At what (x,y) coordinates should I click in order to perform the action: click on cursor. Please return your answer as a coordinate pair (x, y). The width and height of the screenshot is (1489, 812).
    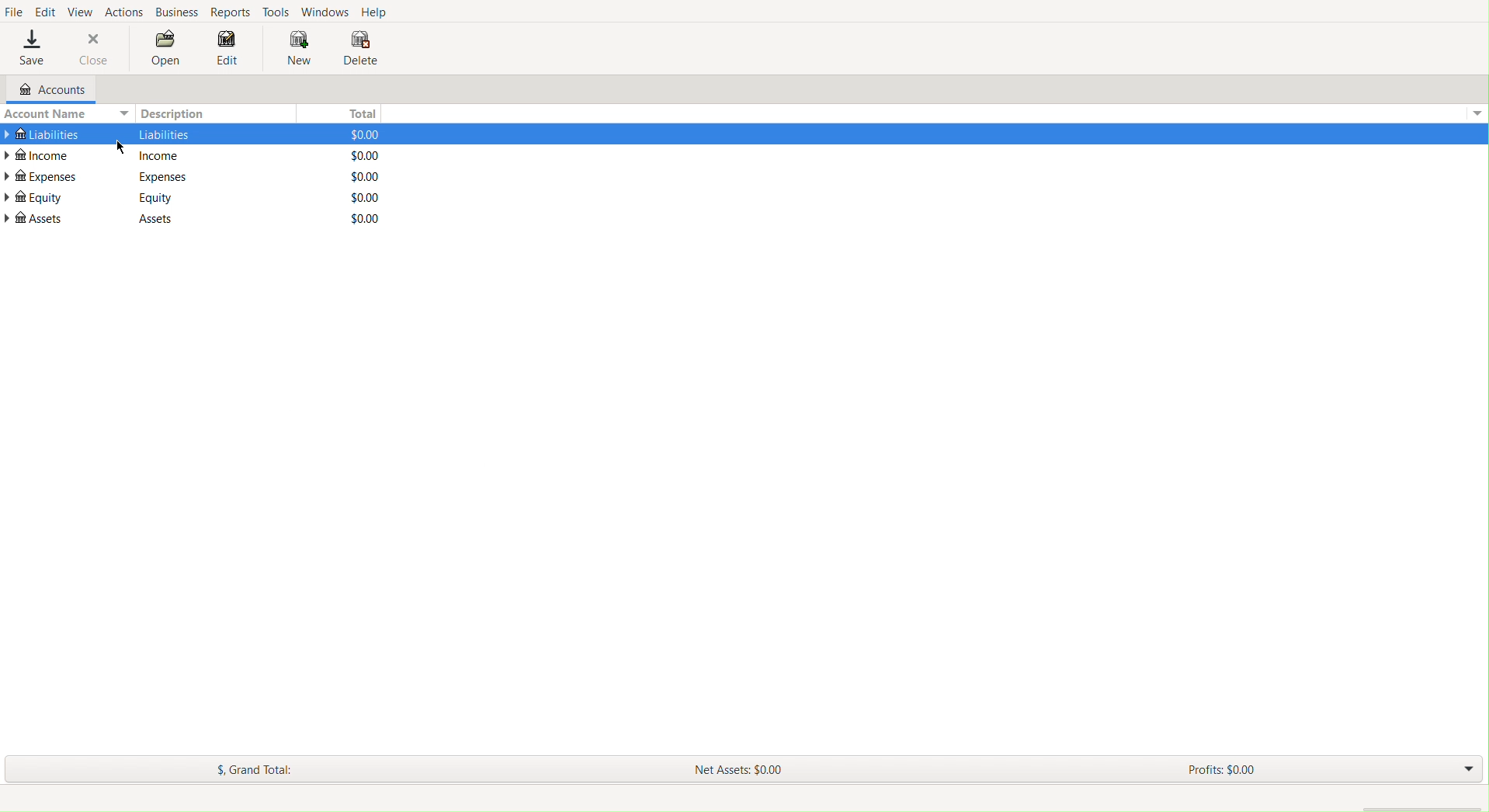
    Looking at the image, I should click on (120, 143).